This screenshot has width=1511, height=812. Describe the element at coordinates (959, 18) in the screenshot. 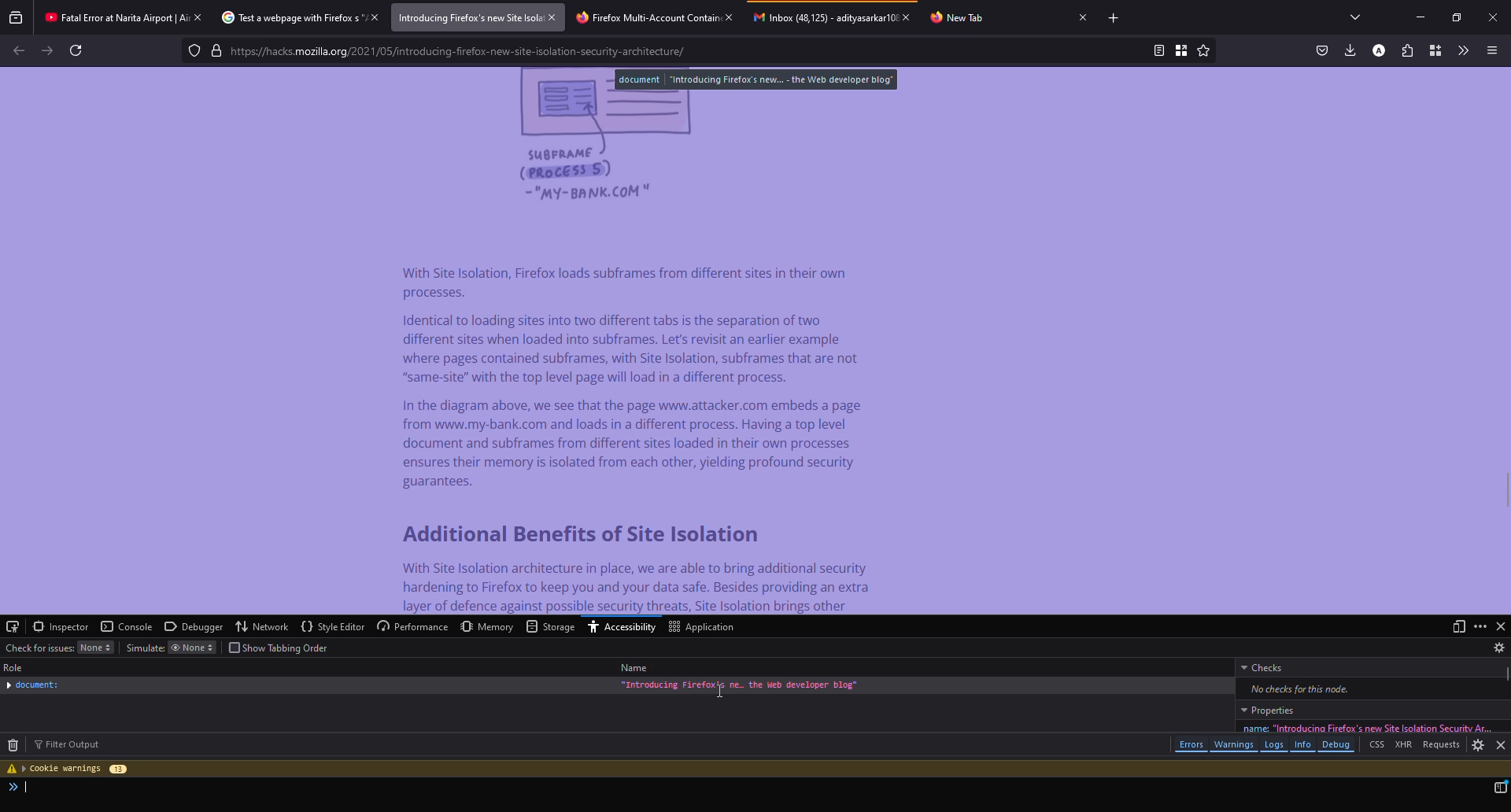

I see `tab` at that location.